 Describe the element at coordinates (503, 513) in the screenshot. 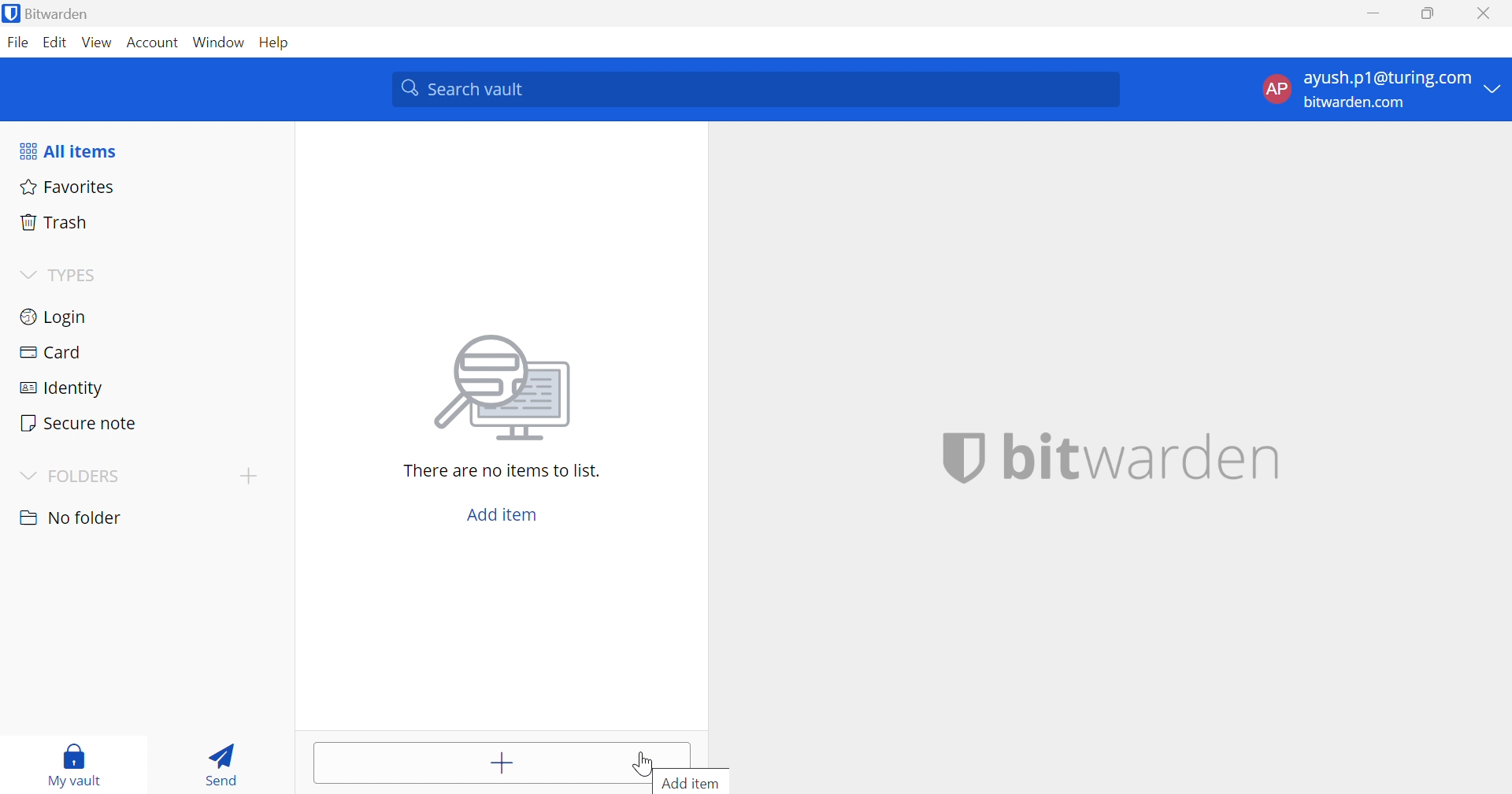

I see `Add item` at that location.